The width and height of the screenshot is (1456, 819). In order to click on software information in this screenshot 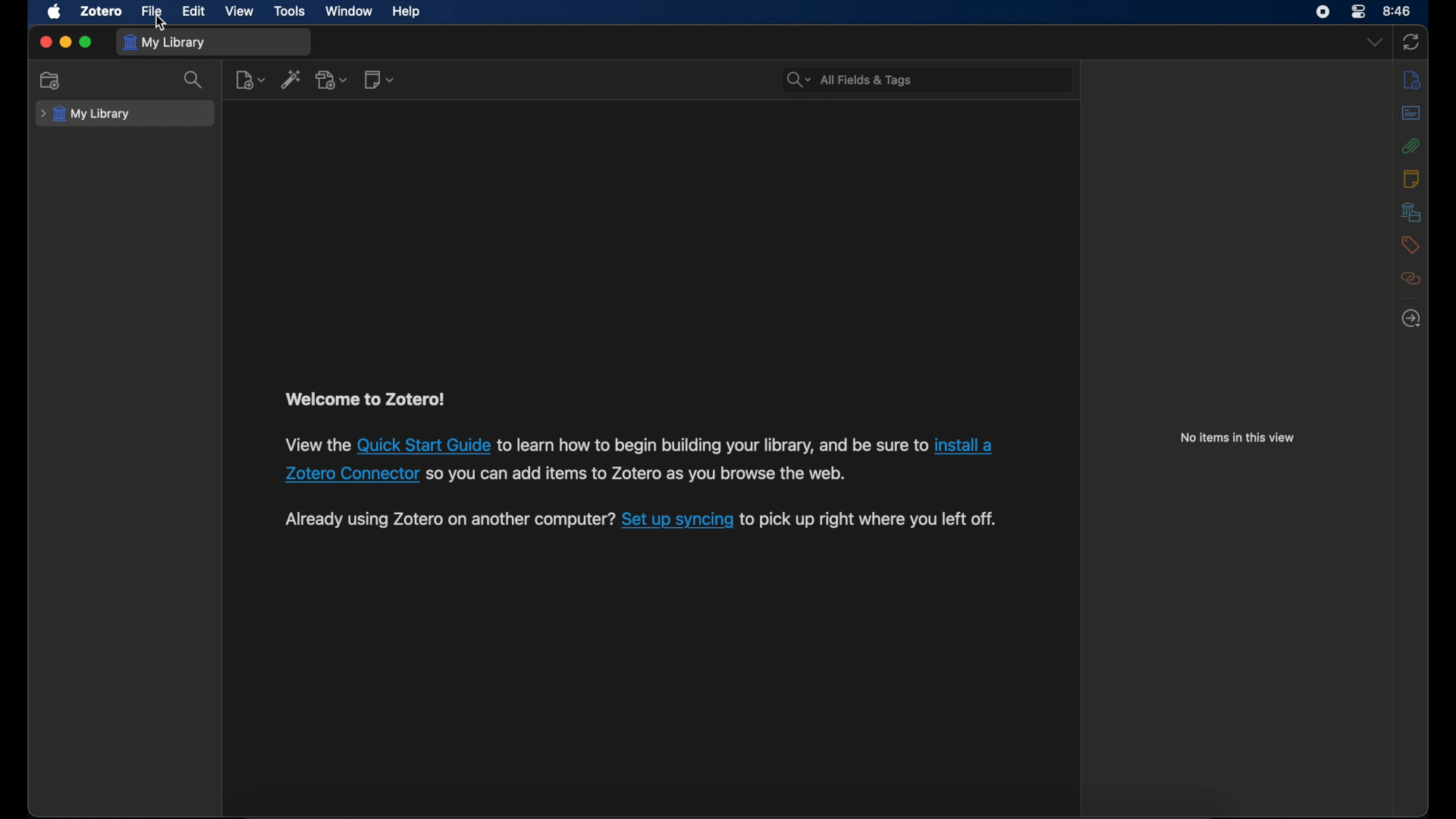, I will do `click(315, 446)`.